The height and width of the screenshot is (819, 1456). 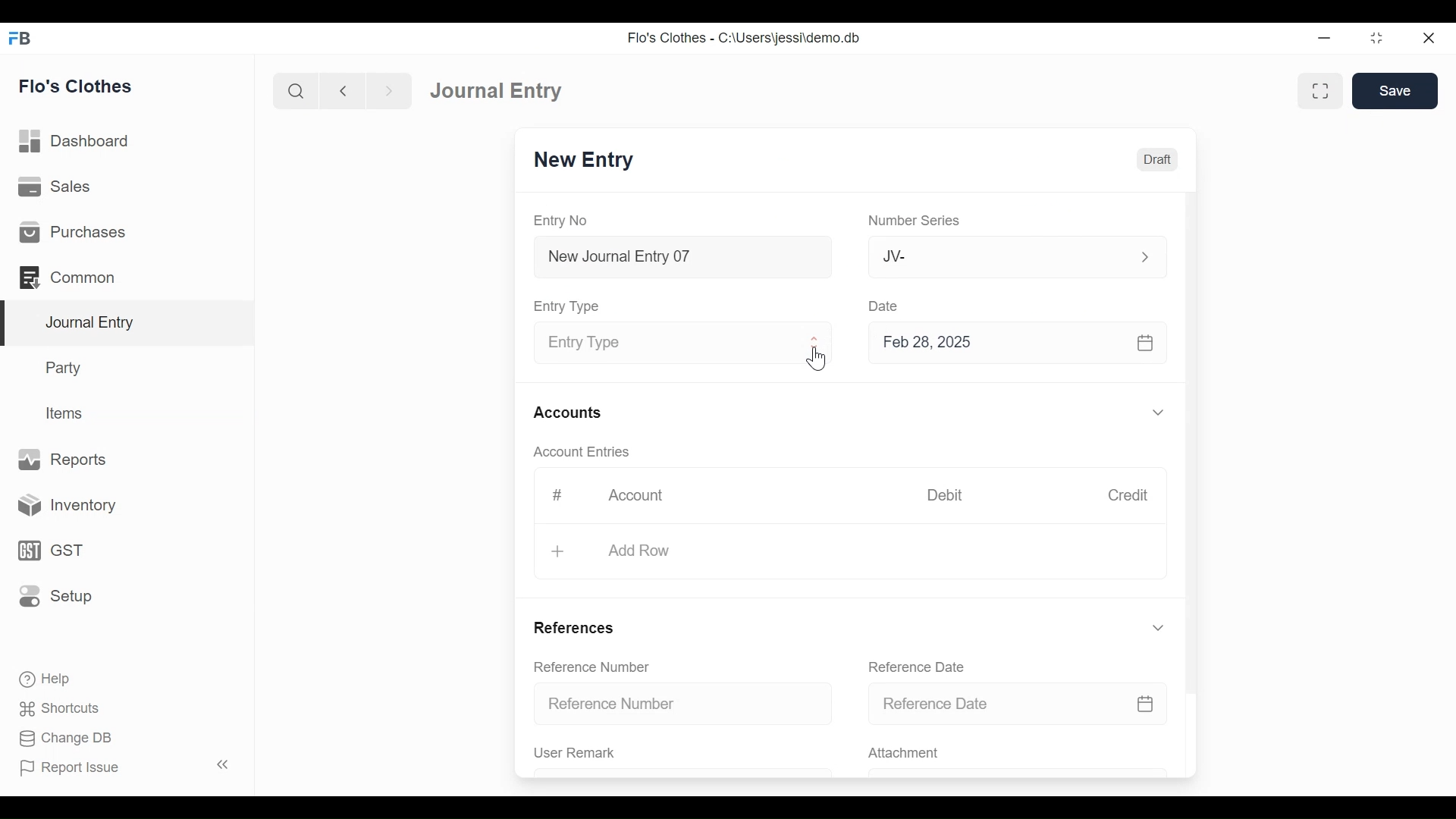 I want to click on Navigate Forward, so click(x=389, y=91).